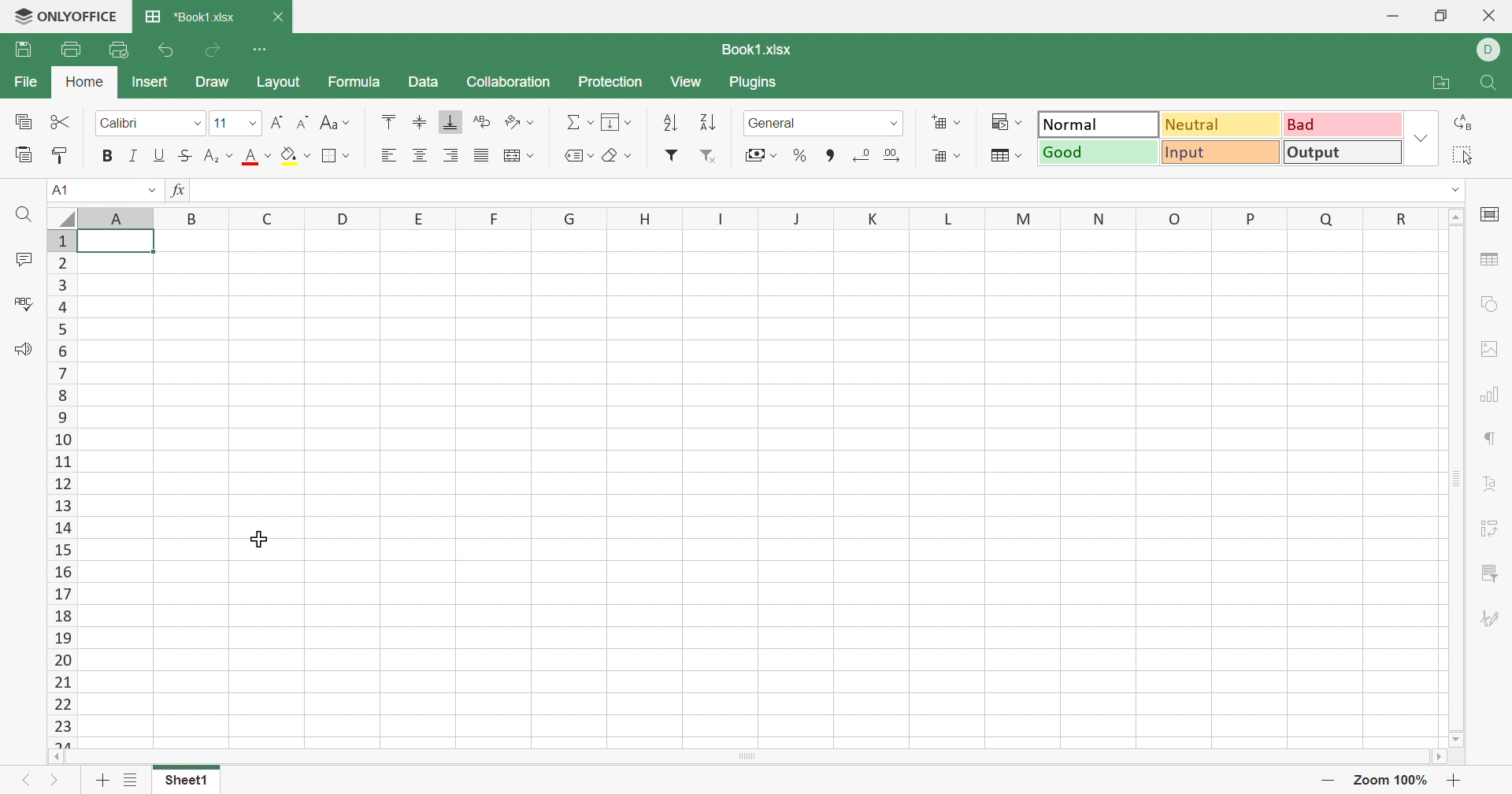 This screenshot has width=1512, height=794. Describe the element at coordinates (1023, 155) in the screenshot. I see `Drop Down` at that location.